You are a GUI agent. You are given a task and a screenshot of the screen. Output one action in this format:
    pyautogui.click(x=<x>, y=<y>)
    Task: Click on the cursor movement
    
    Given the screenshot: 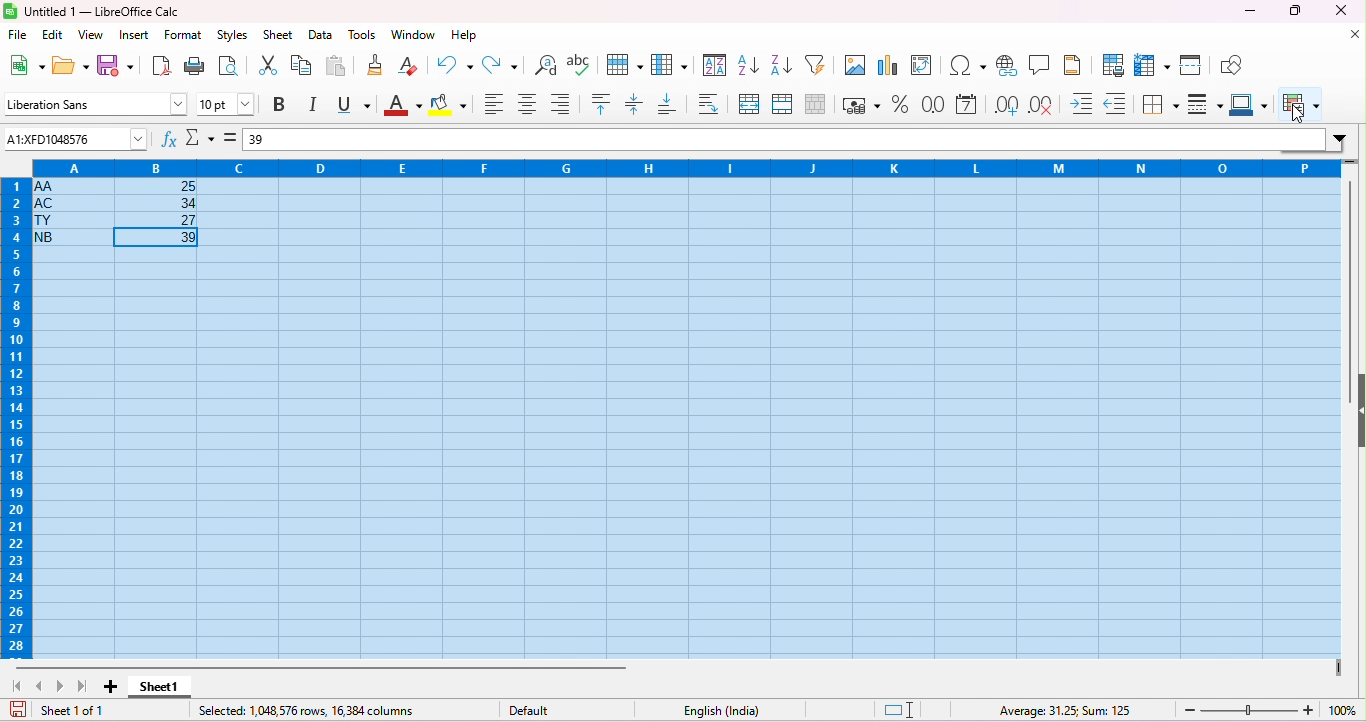 What is the action you would take?
    pyautogui.click(x=1302, y=114)
    